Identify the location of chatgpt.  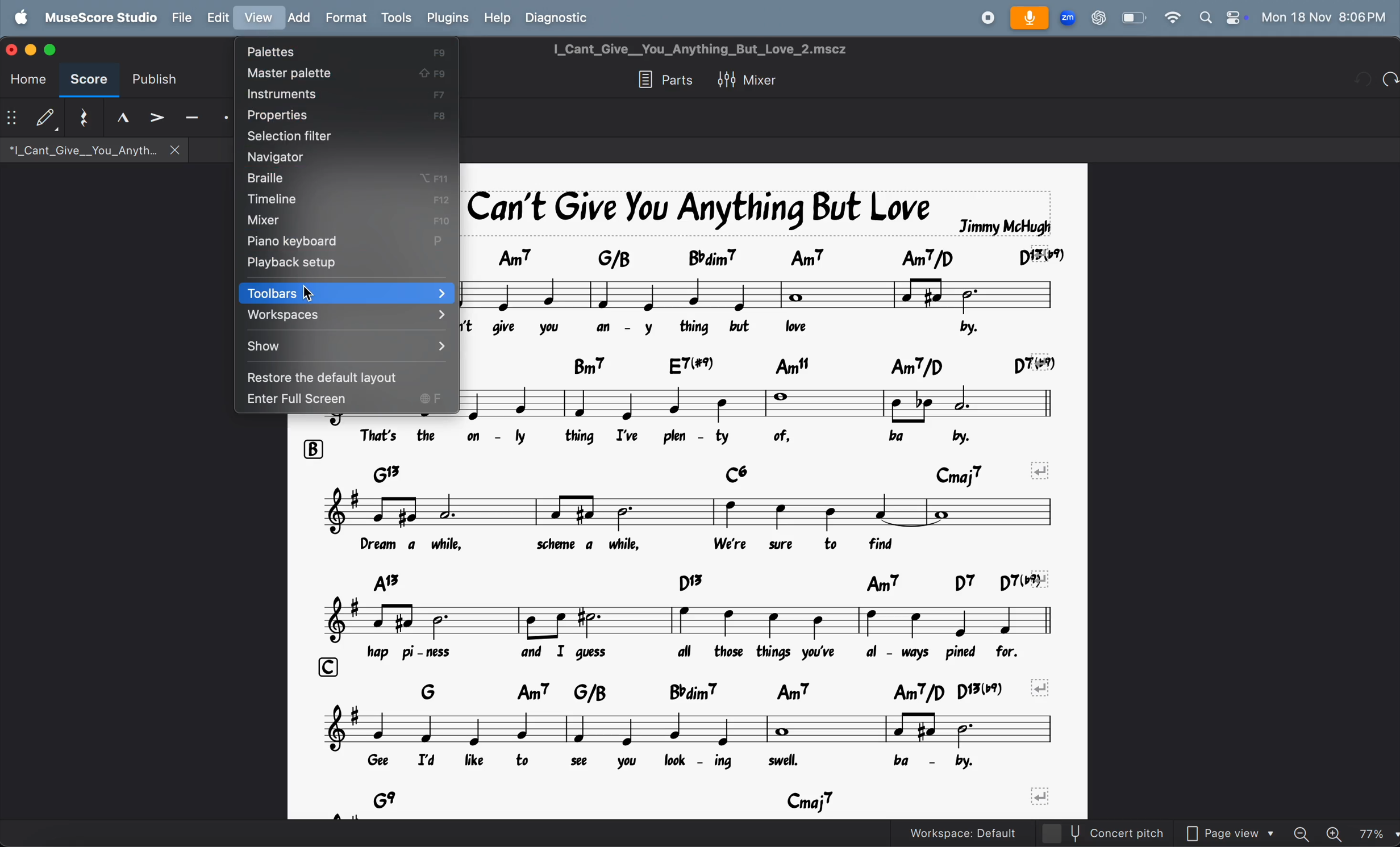
(1098, 18).